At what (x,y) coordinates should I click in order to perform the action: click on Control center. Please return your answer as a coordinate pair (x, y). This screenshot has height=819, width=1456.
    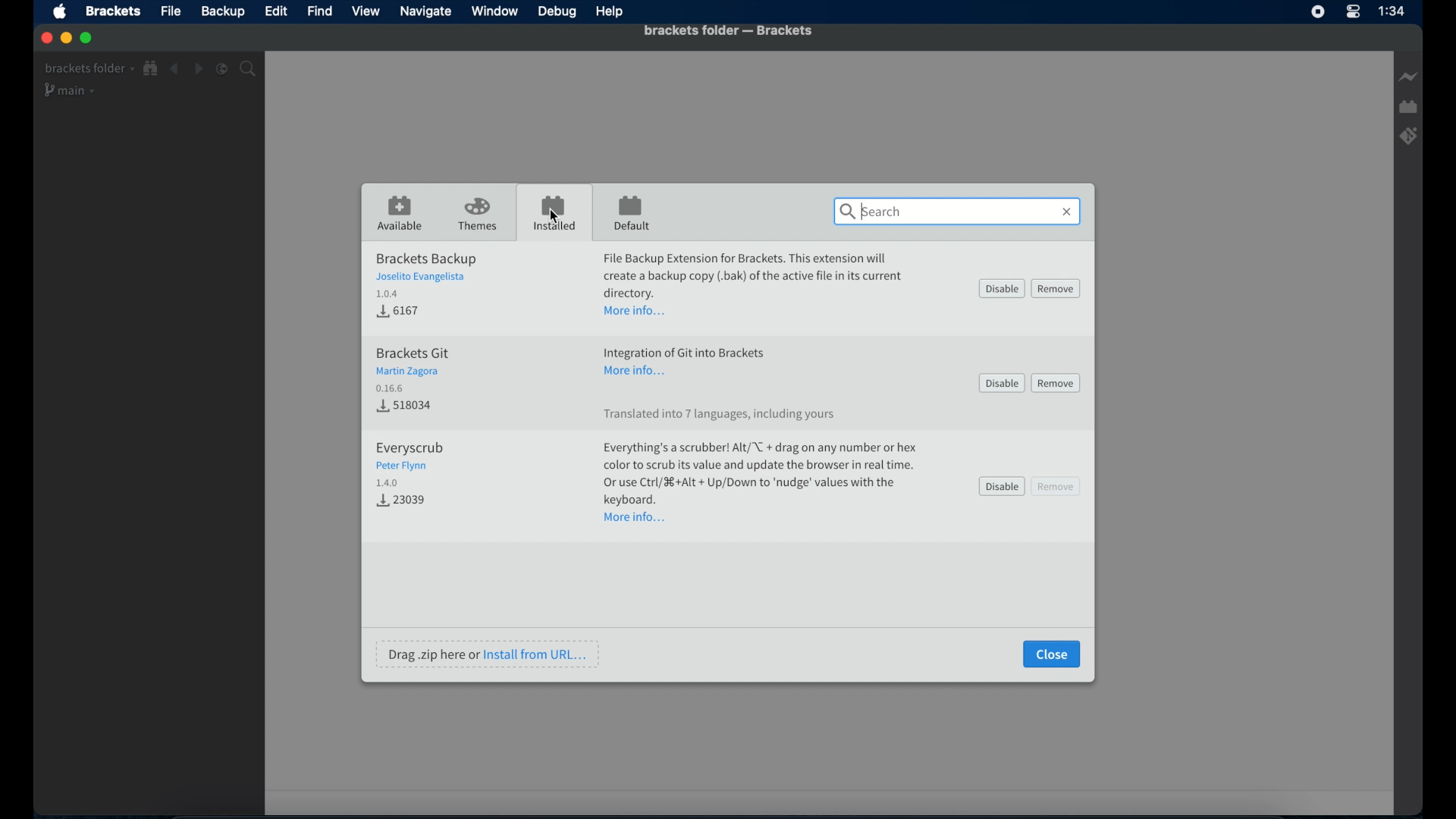
    Looking at the image, I should click on (1352, 12).